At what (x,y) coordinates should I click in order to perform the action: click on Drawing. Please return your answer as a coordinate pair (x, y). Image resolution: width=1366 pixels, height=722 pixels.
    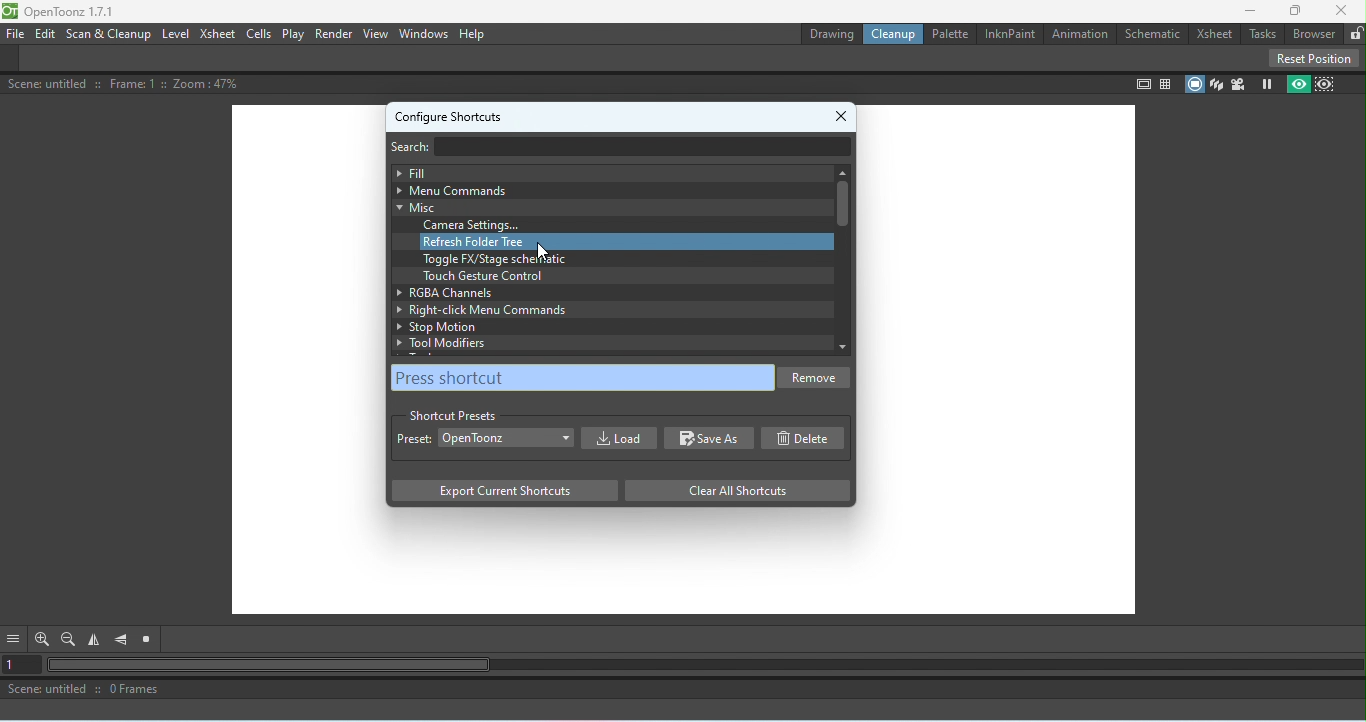
    Looking at the image, I should click on (830, 34).